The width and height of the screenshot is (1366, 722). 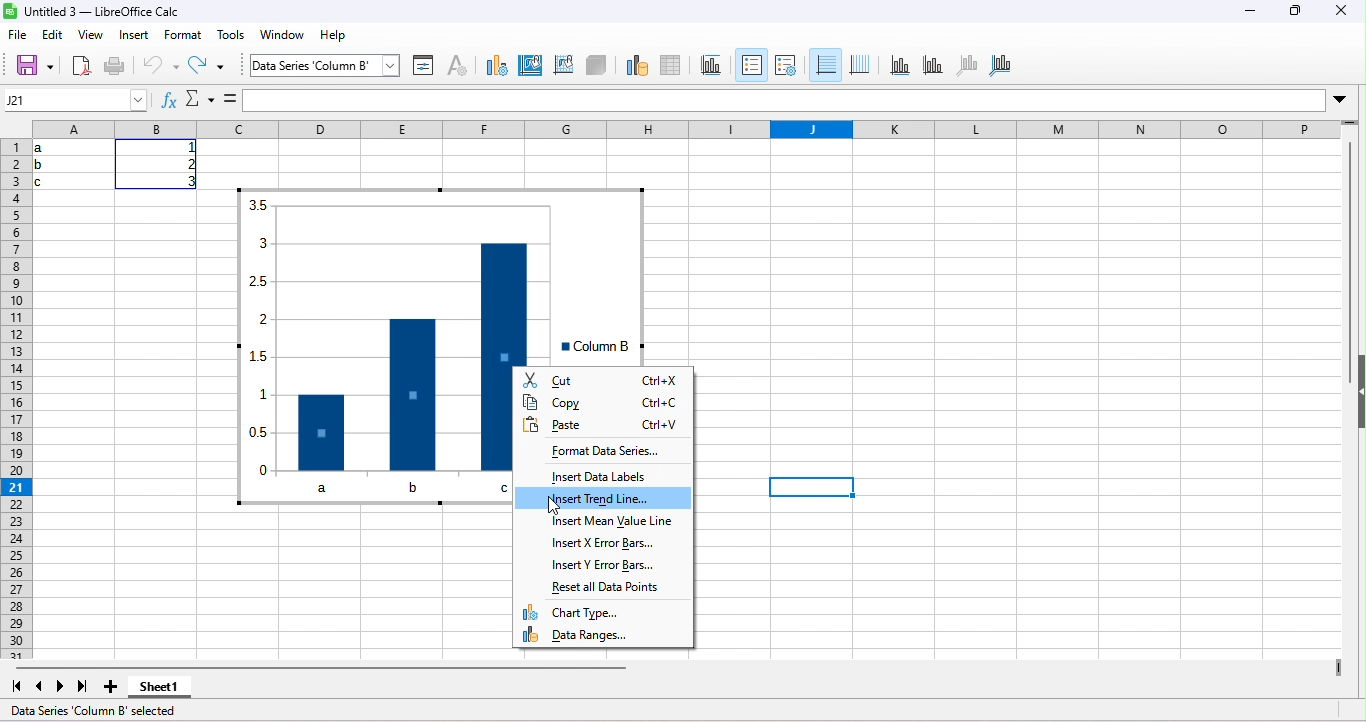 I want to click on y axis, so click(x=940, y=65).